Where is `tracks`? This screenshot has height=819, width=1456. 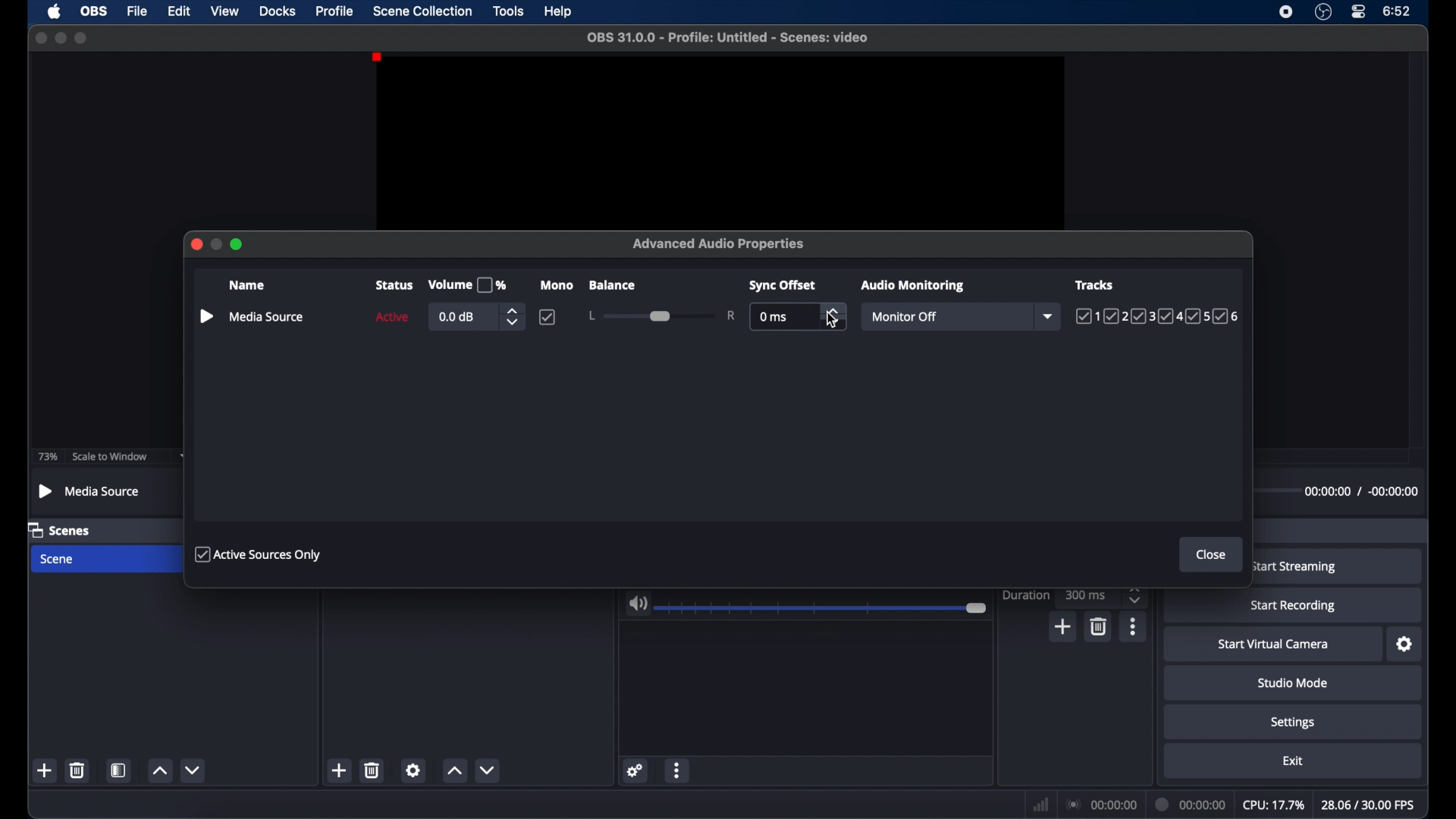 tracks is located at coordinates (1093, 285).